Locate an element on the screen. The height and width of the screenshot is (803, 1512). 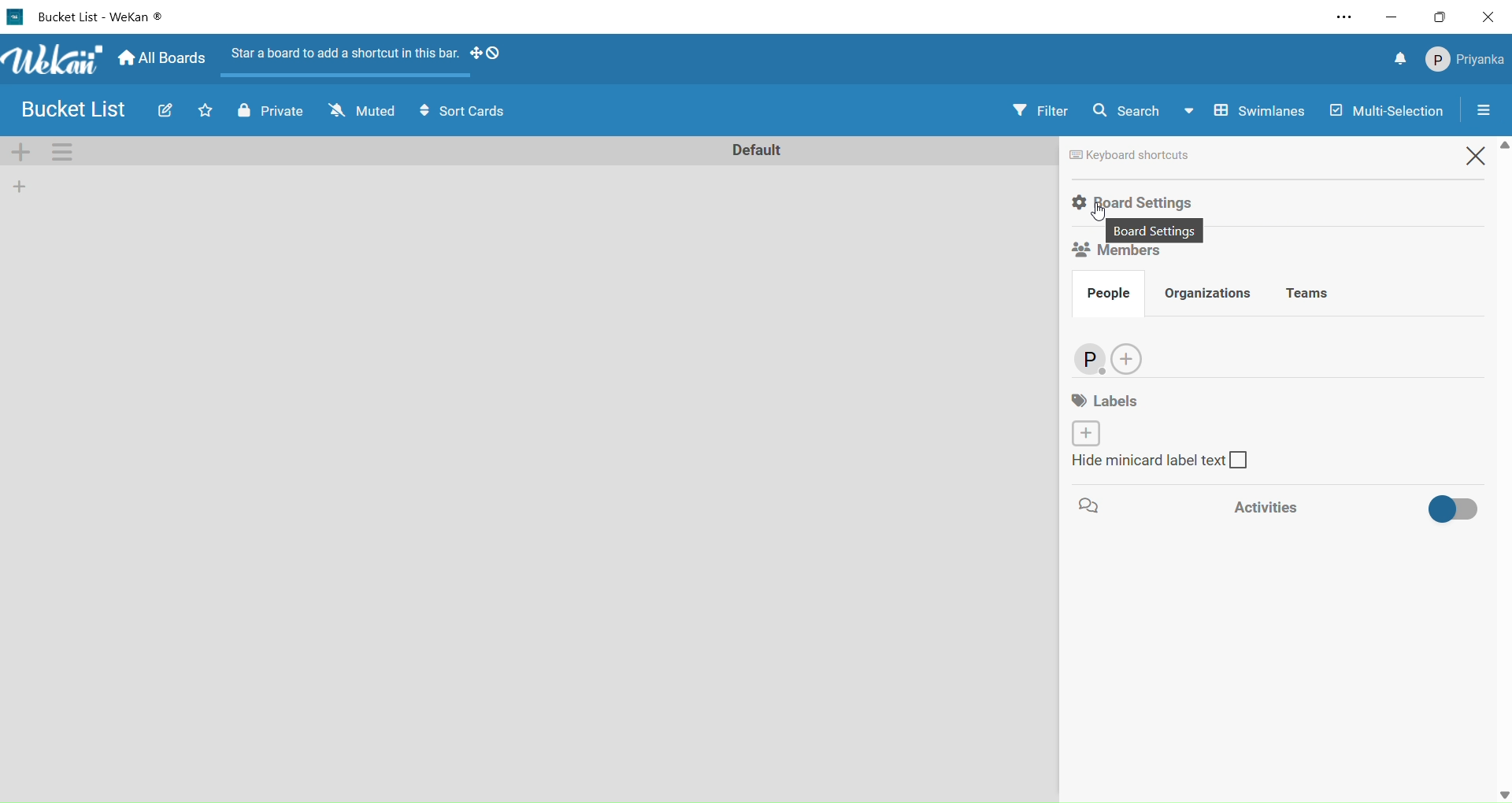
member settings is located at coordinates (1466, 60).